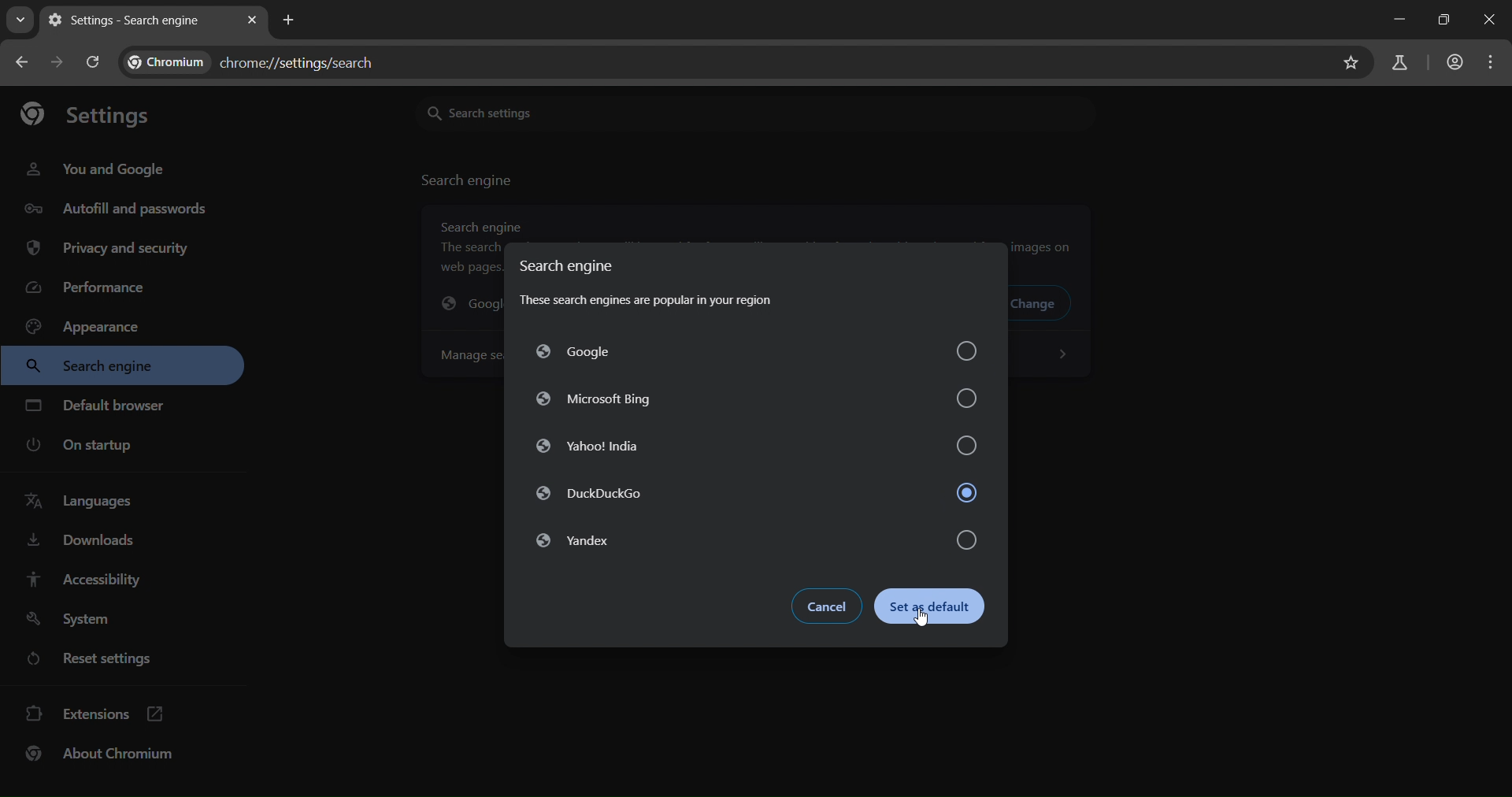  Describe the element at coordinates (25, 64) in the screenshot. I see `go back 1 page` at that location.